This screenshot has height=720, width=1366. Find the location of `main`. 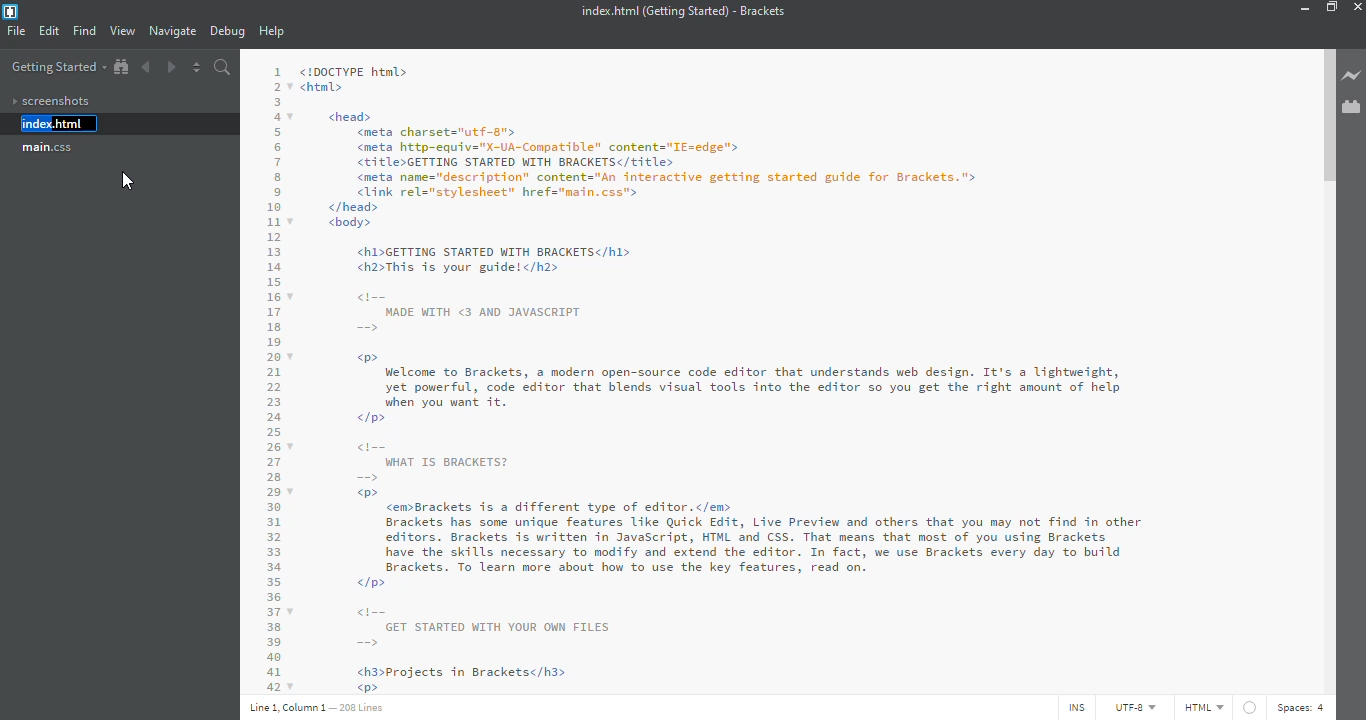

main is located at coordinates (49, 148).